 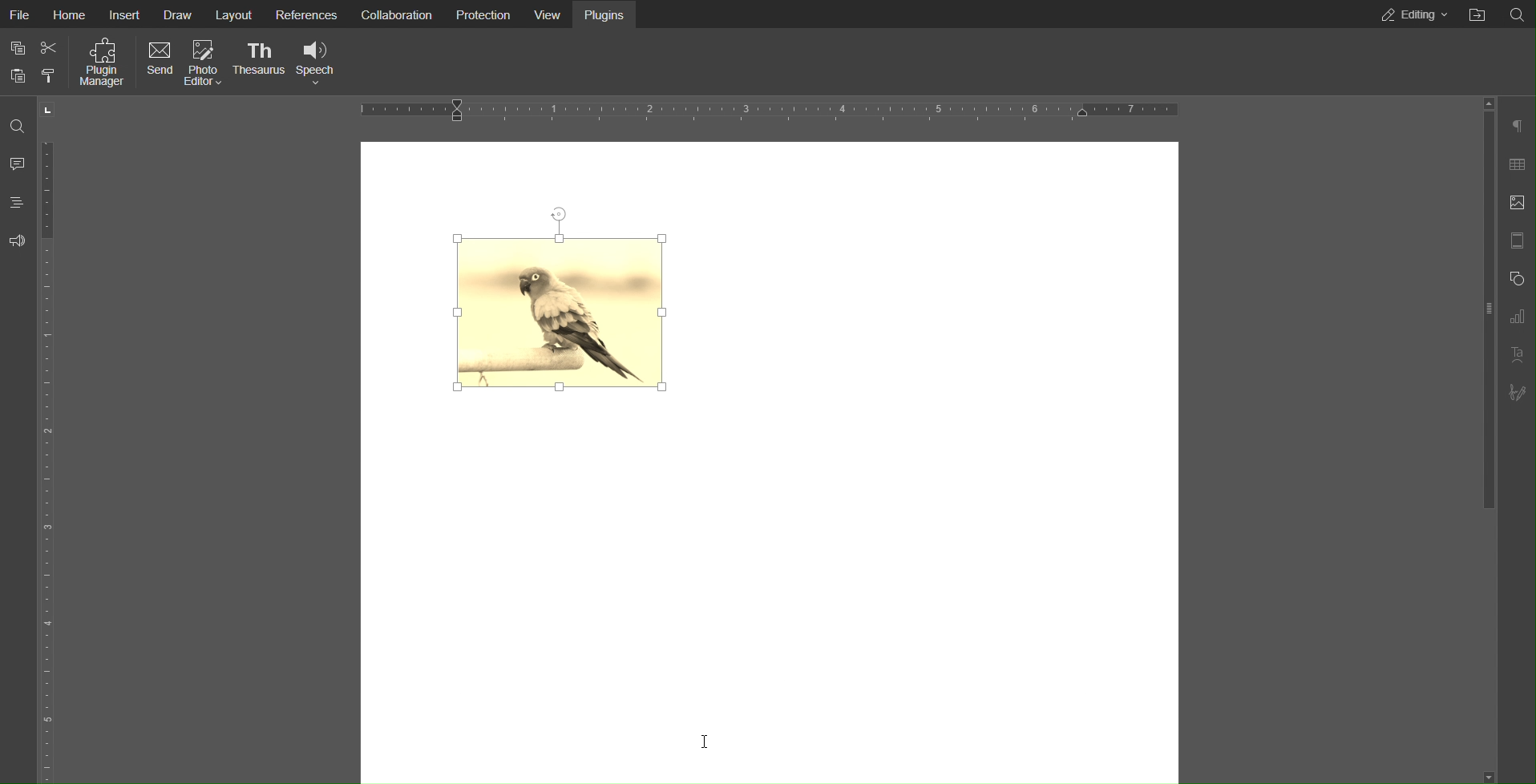 What do you see at coordinates (47, 459) in the screenshot?
I see `Vertical Ruler` at bounding box center [47, 459].